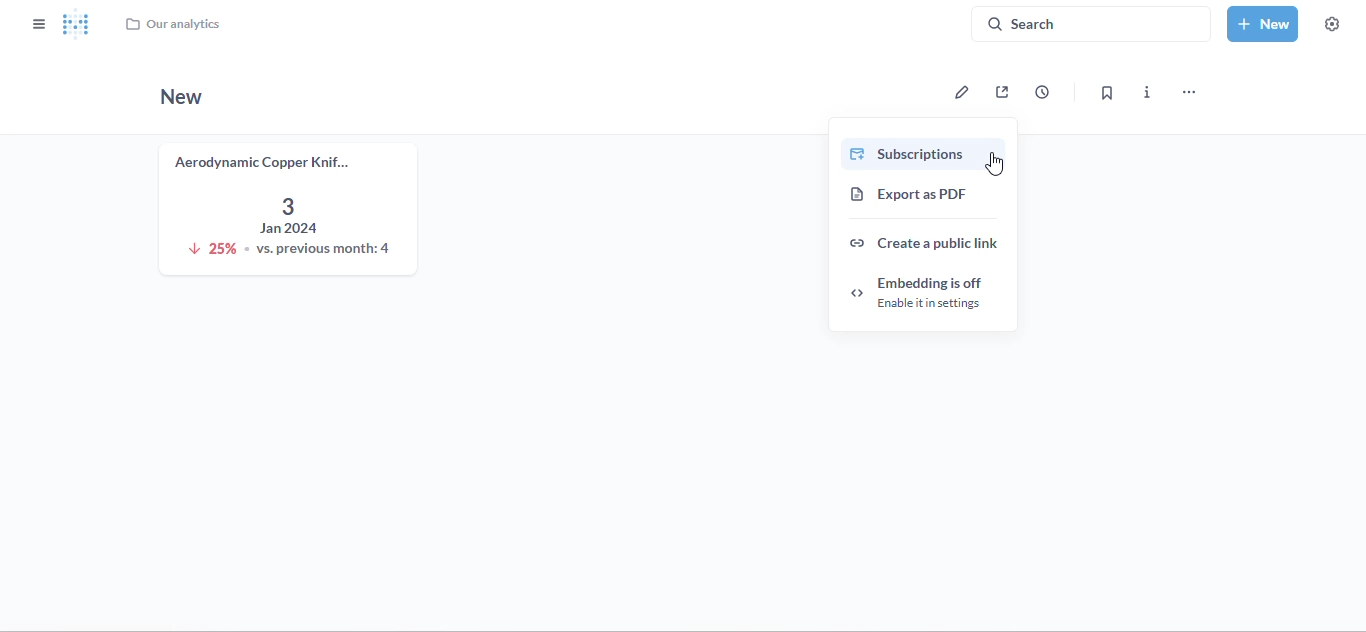  Describe the element at coordinates (1091, 23) in the screenshot. I see `search` at that location.